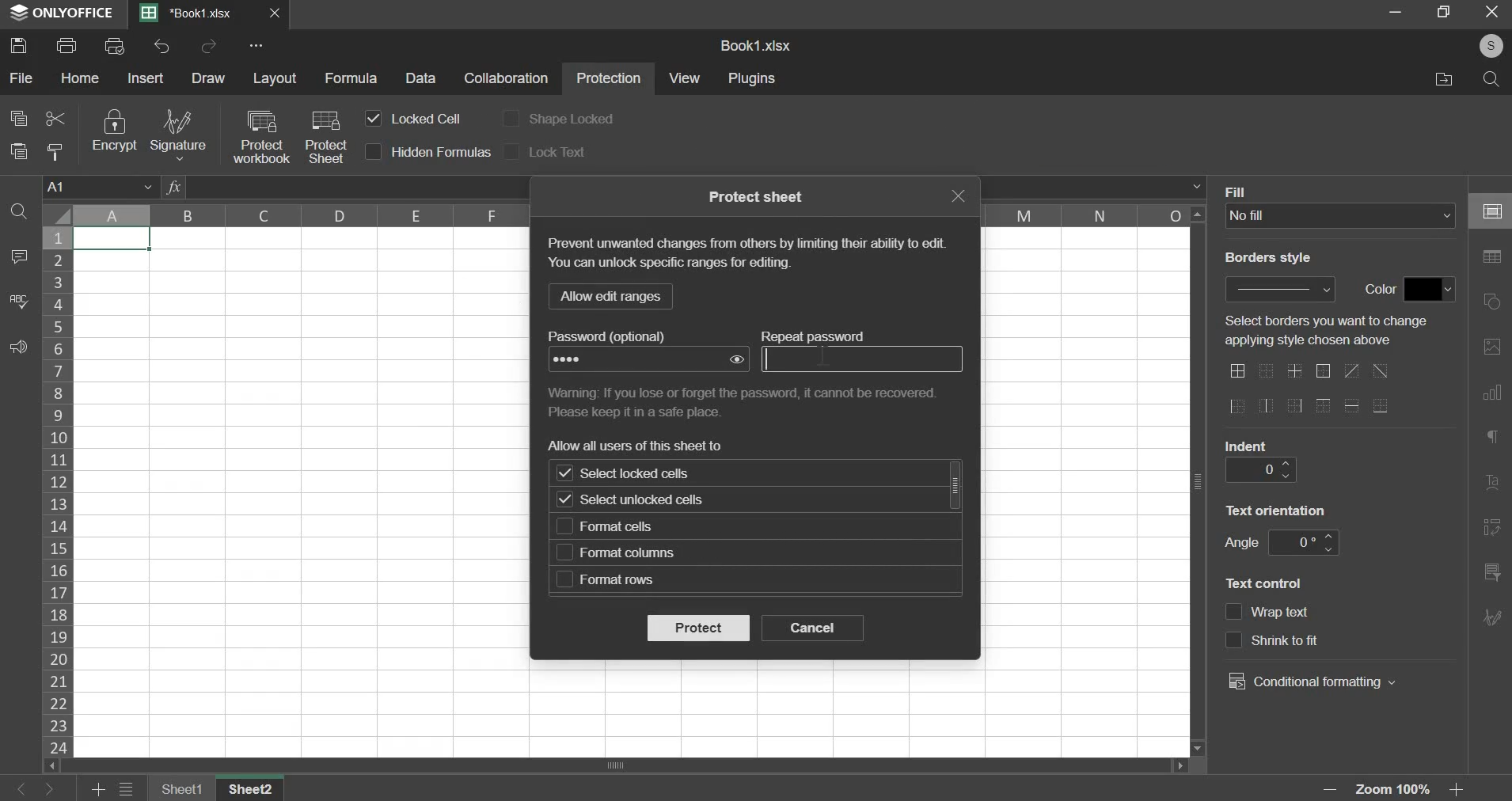 This screenshot has height=801, width=1512. What do you see at coordinates (1267, 373) in the screenshot?
I see `border options` at bounding box center [1267, 373].